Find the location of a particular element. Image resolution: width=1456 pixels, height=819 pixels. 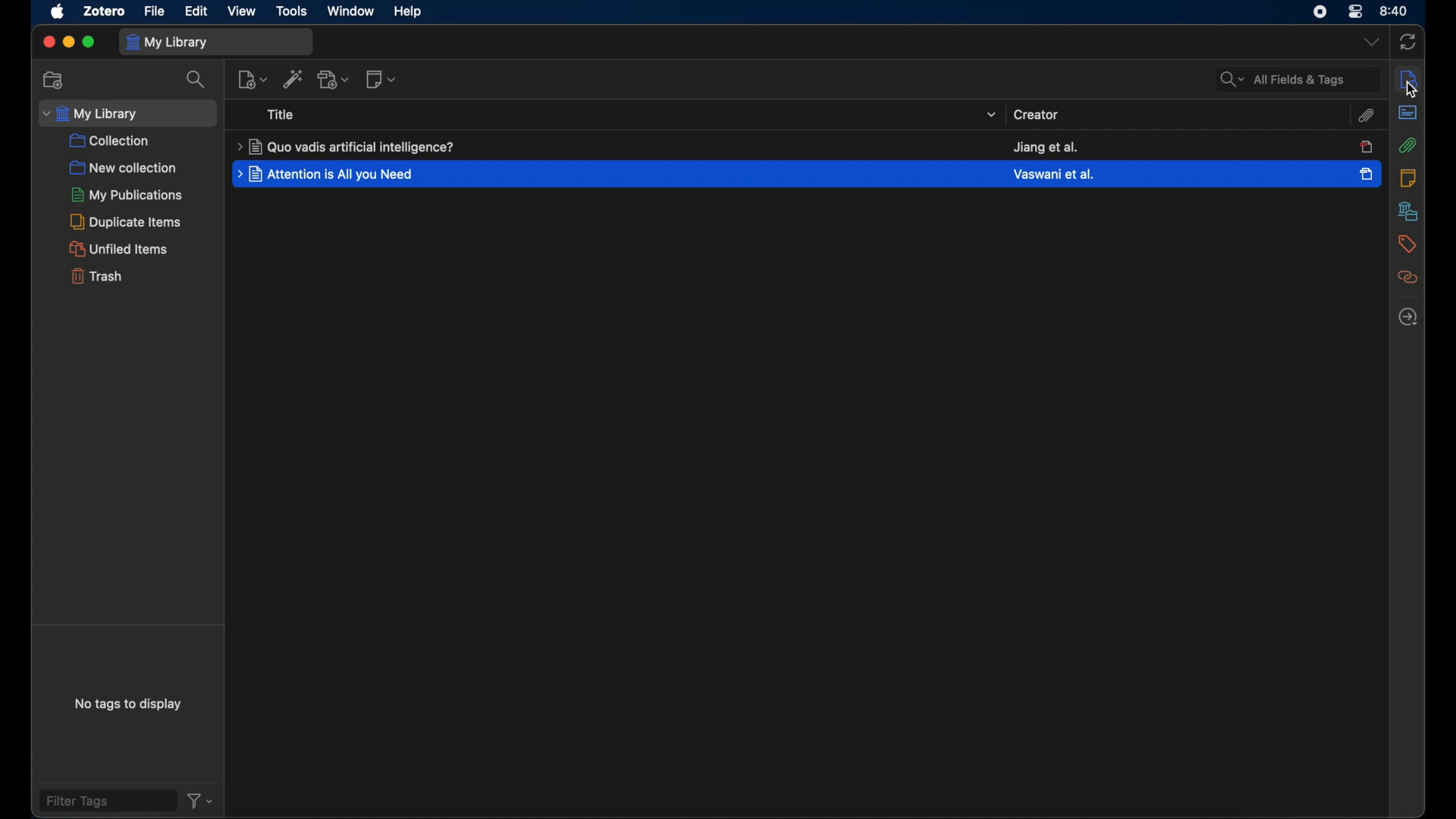

my publications is located at coordinates (124, 195).